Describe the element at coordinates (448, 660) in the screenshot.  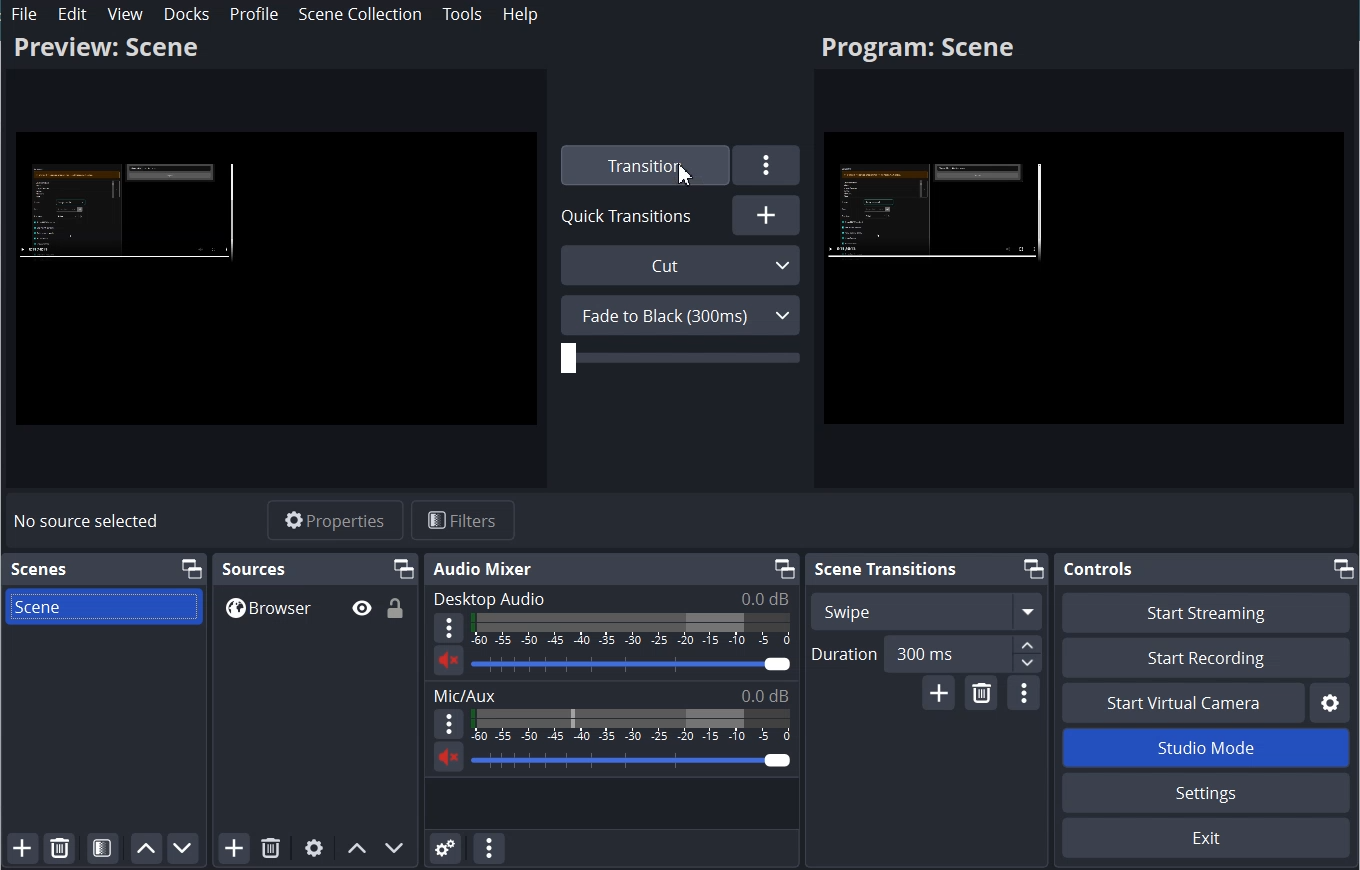
I see `Sound` at that location.